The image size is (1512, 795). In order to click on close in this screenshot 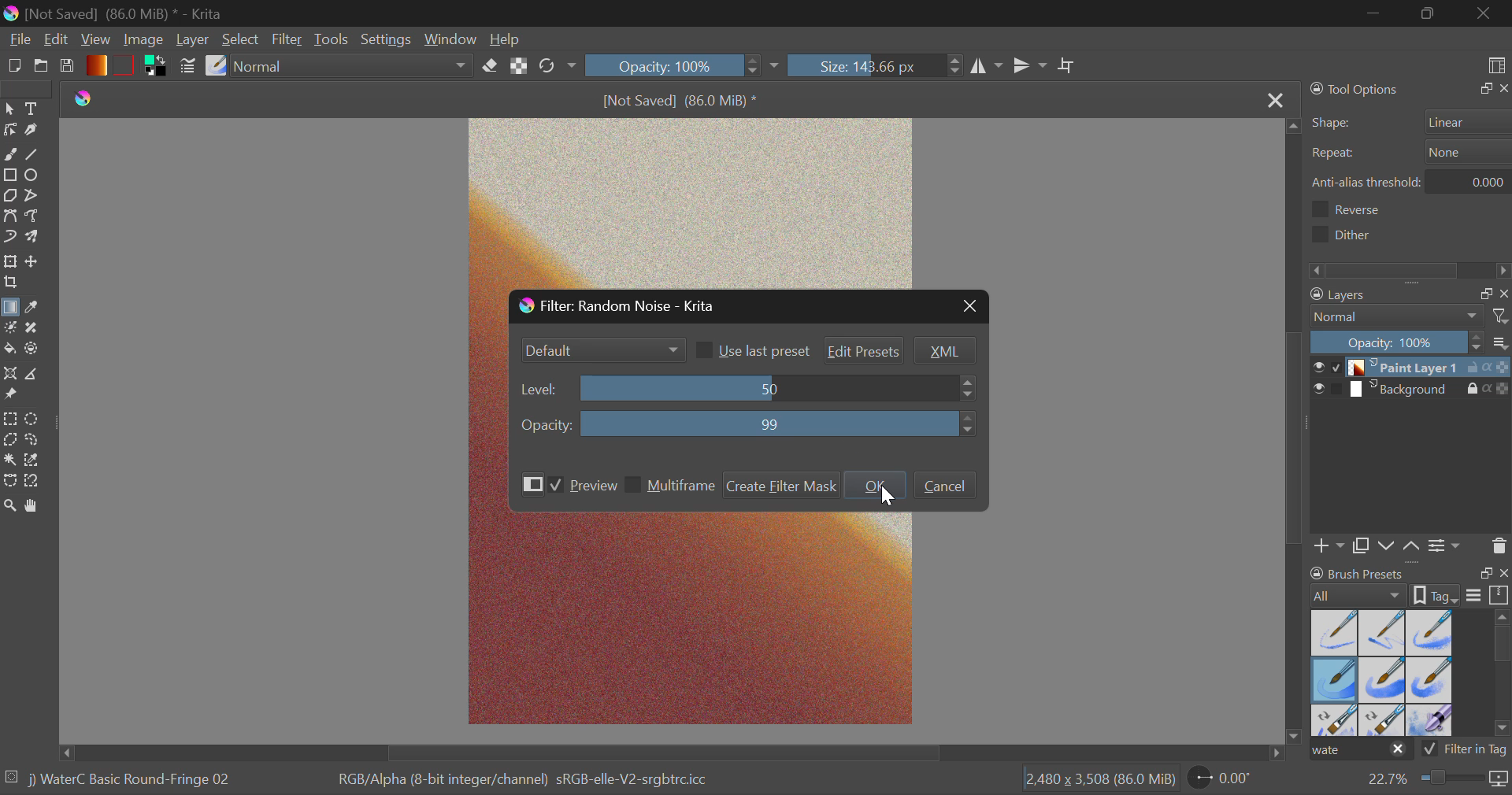, I will do `click(1503, 89)`.